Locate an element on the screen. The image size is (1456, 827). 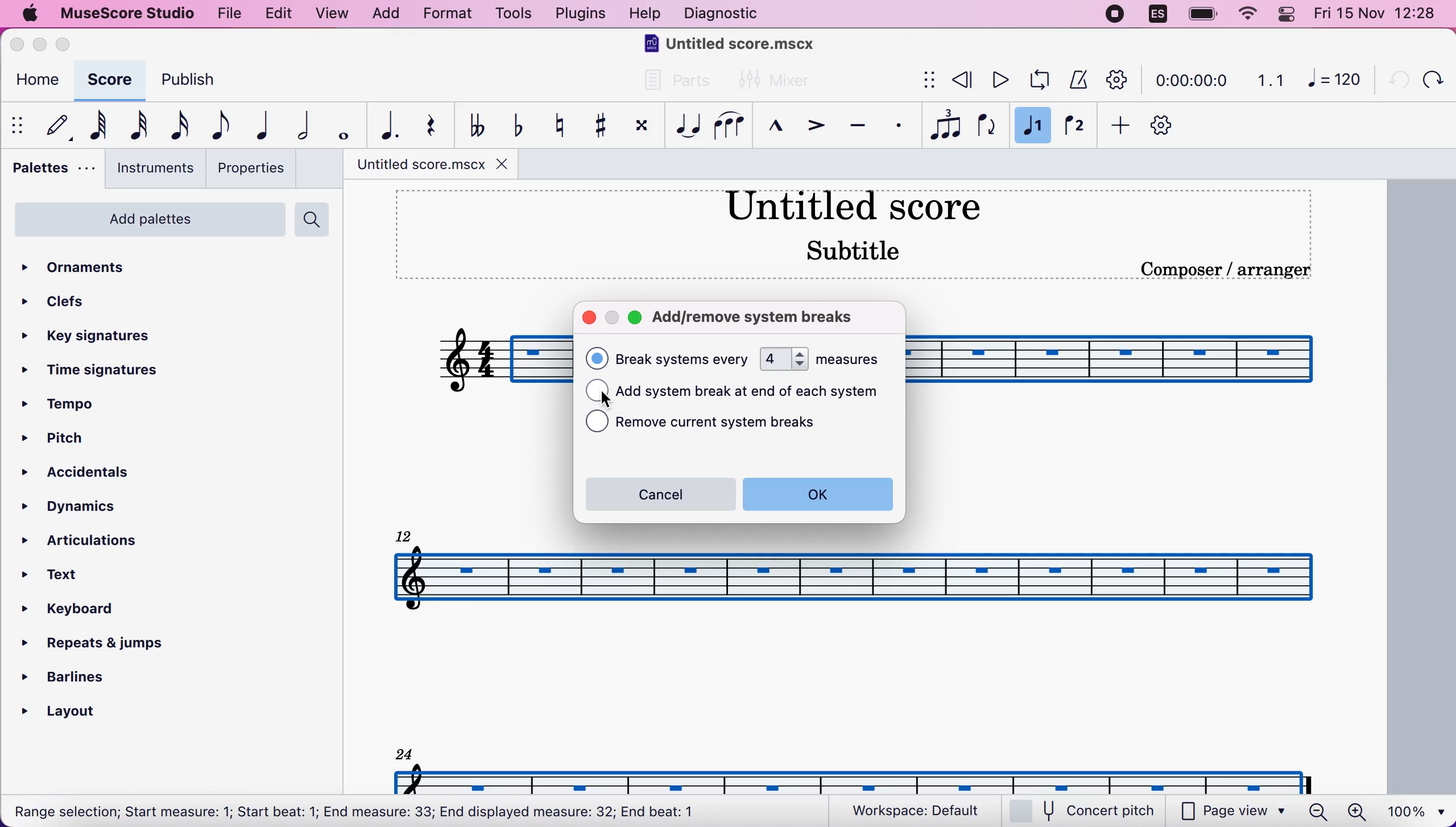
plugins is located at coordinates (578, 14).